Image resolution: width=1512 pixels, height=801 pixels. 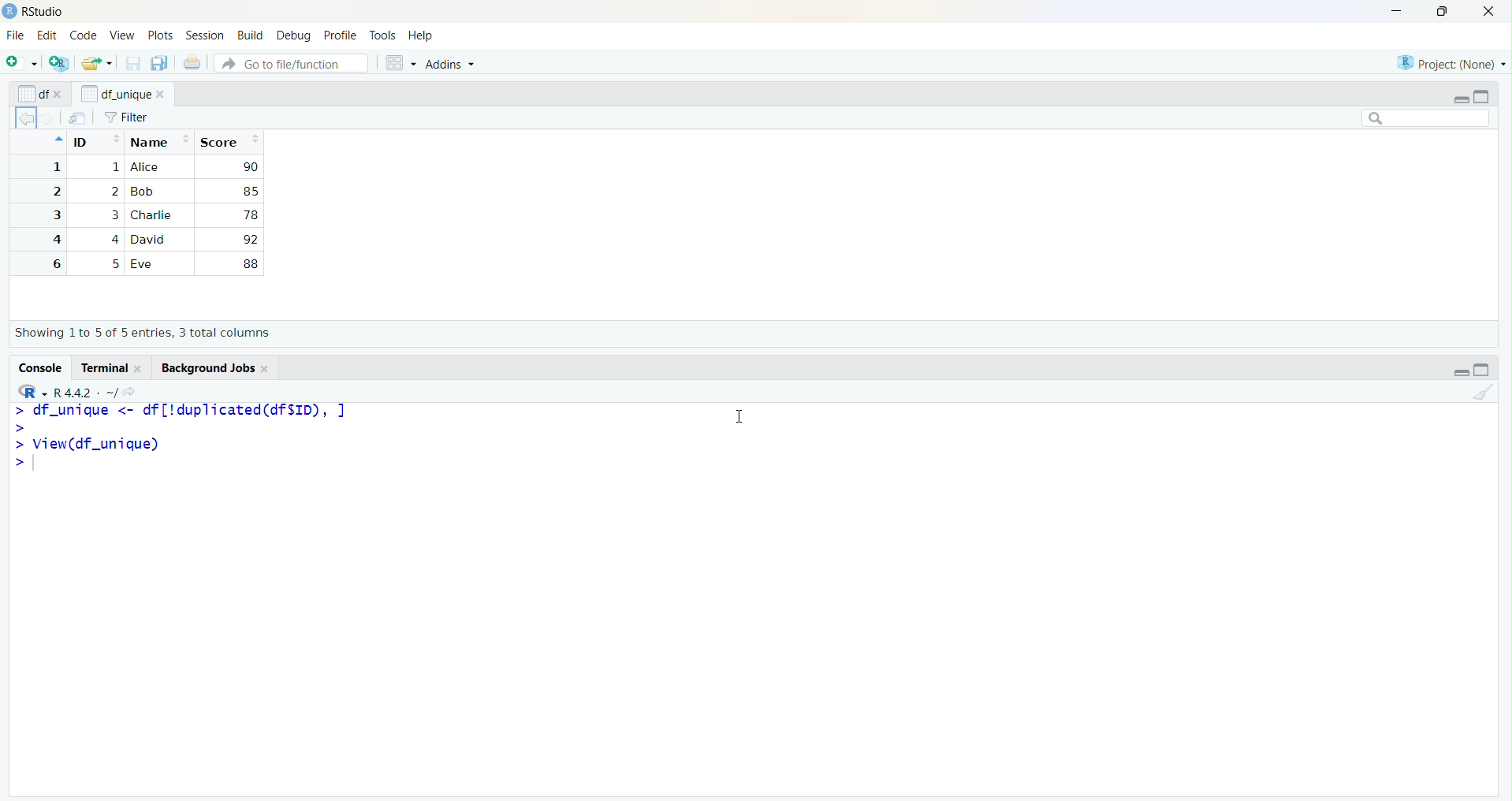 What do you see at coordinates (47, 35) in the screenshot?
I see `Edit` at bounding box center [47, 35].